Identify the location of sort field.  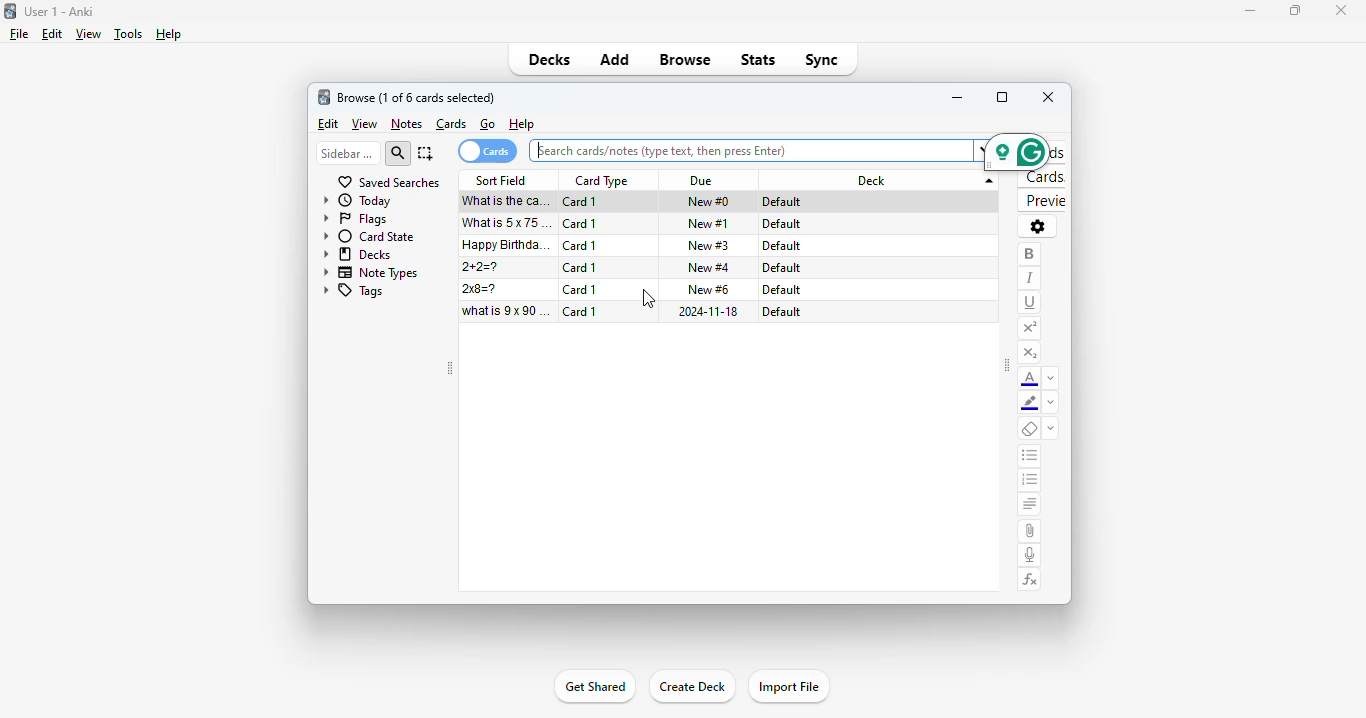
(502, 180).